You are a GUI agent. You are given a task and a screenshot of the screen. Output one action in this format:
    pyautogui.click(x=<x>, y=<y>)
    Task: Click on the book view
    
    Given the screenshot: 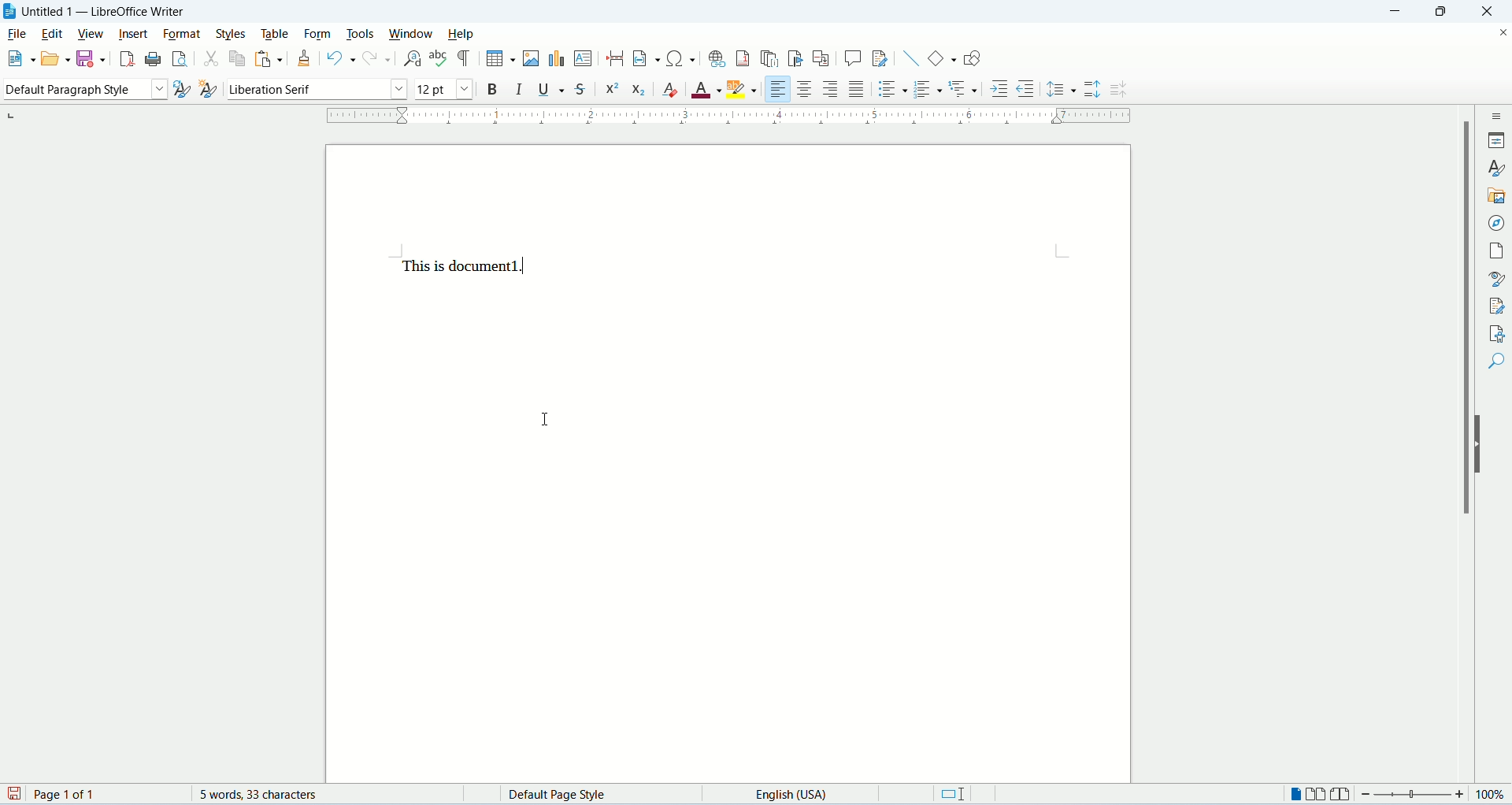 What is the action you would take?
    pyautogui.click(x=1340, y=793)
    